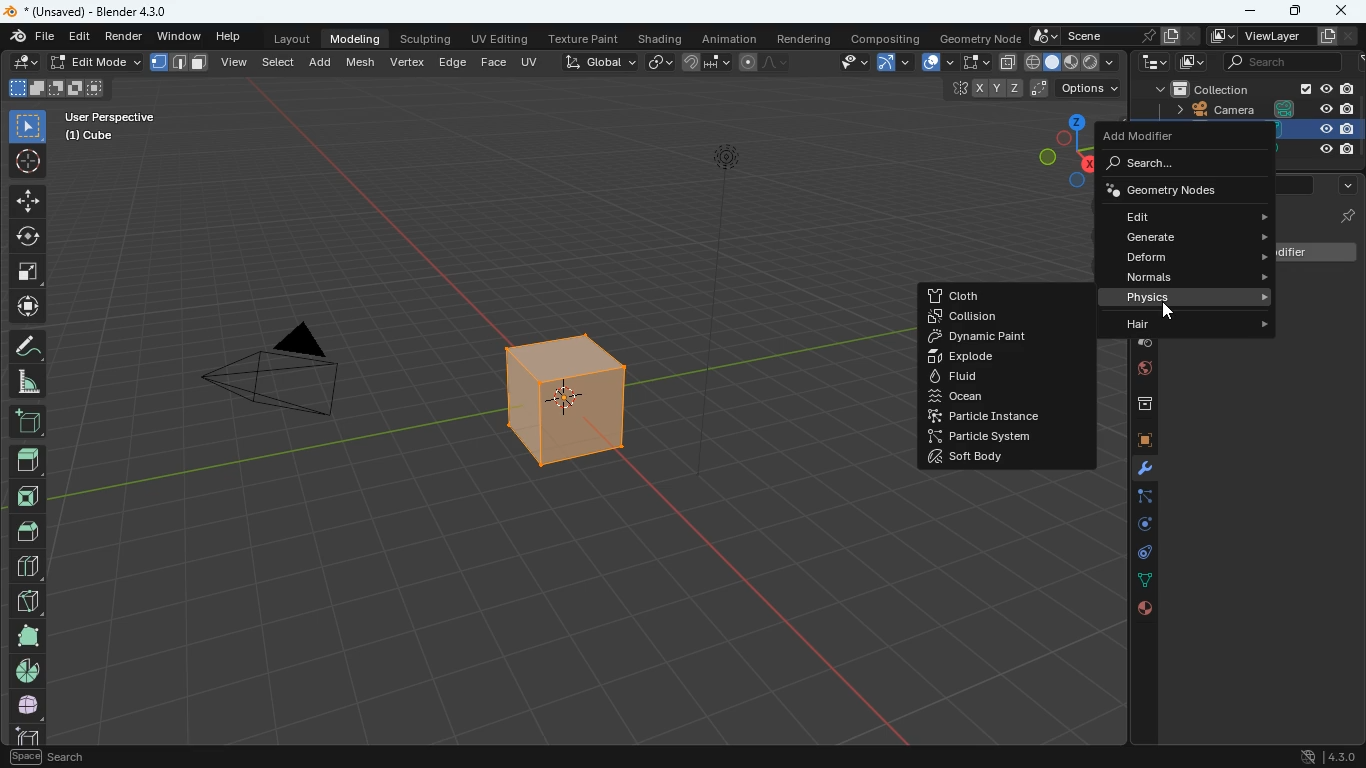 The width and height of the screenshot is (1366, 768). What do you see at coordinates (532, 61) in the screenshot?
I see `uv` at bounding box center [532, 61].